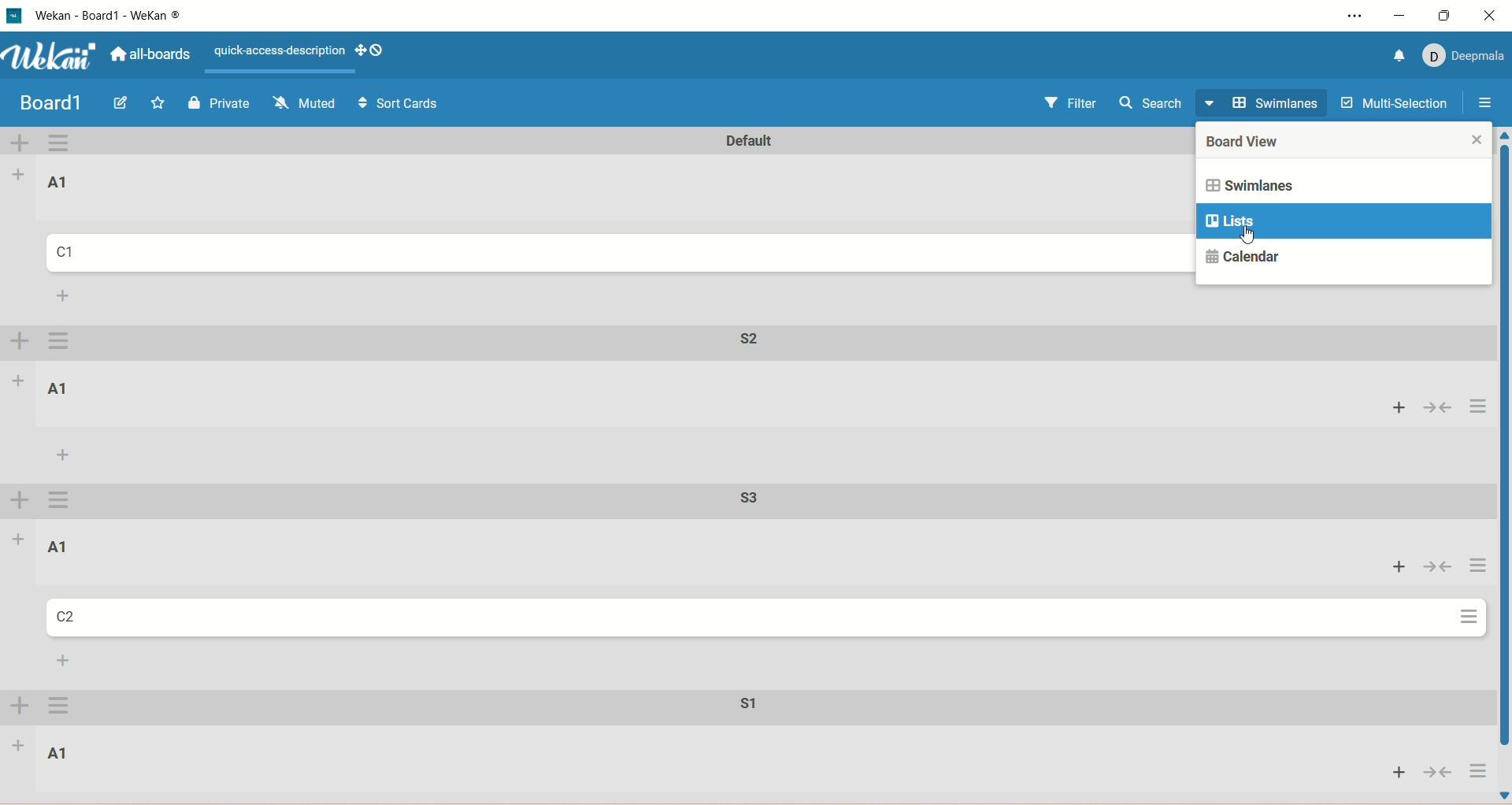 Image resolution: width=1512 pixels, height=805 pixels. What do you see at coordinates (18, 751) in the screenshot?
I see `add` at bounding box center [18, 751].